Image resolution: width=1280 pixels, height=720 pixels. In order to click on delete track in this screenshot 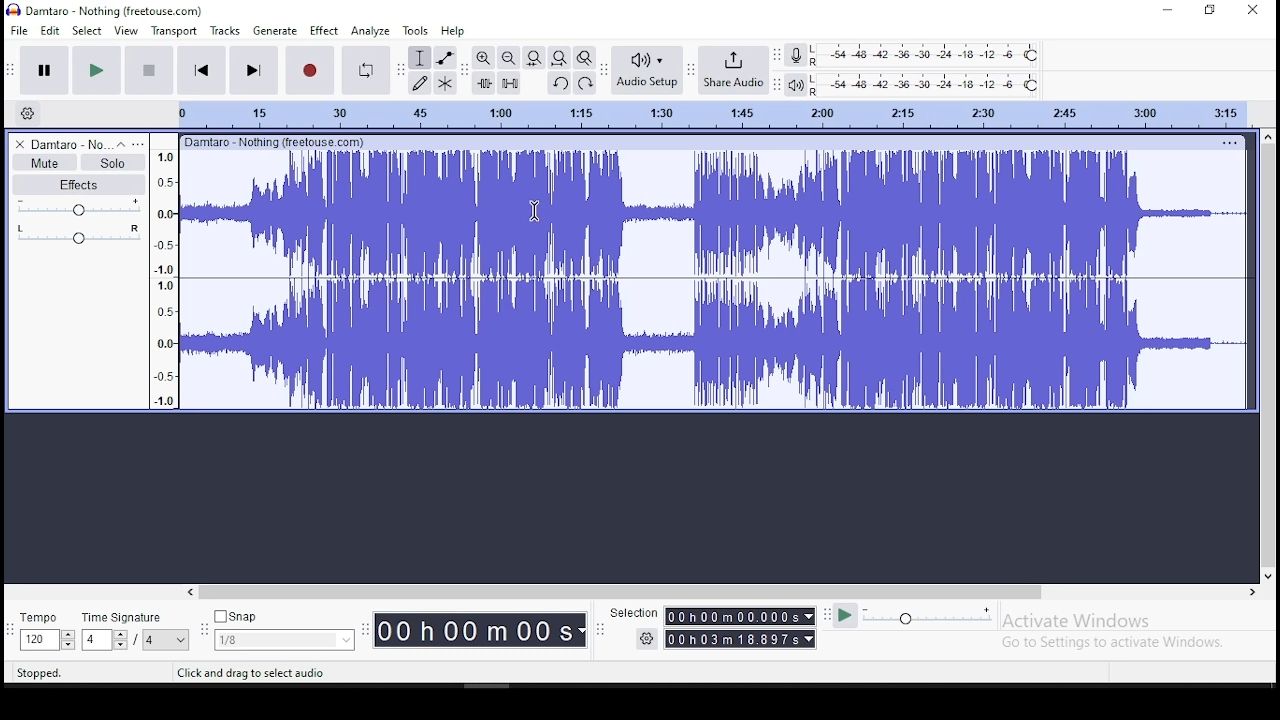, I will do `click(16, 144)`.